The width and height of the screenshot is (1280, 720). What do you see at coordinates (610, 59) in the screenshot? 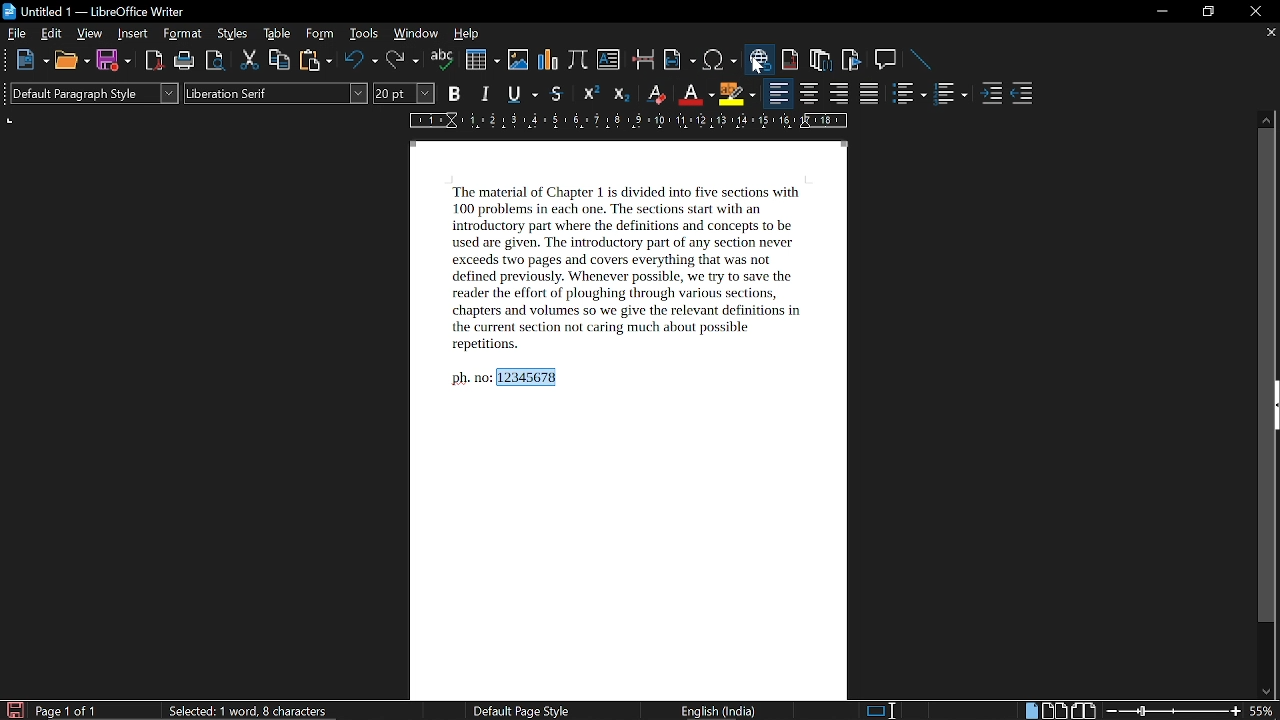
I see `insert text` at bounding box center [610, 59].